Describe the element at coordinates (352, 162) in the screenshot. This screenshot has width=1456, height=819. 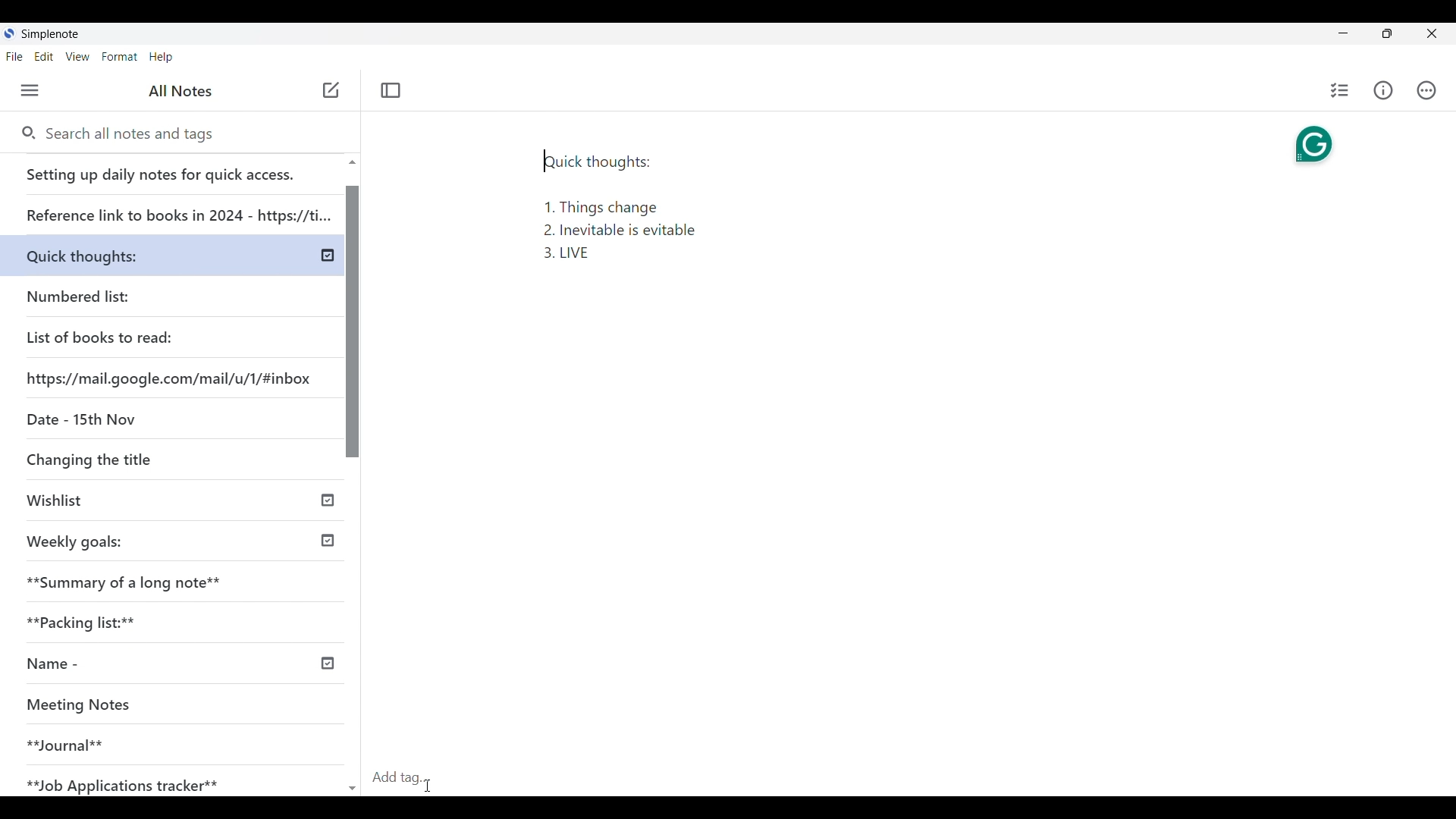
I see `Quick slide to top` at that location.